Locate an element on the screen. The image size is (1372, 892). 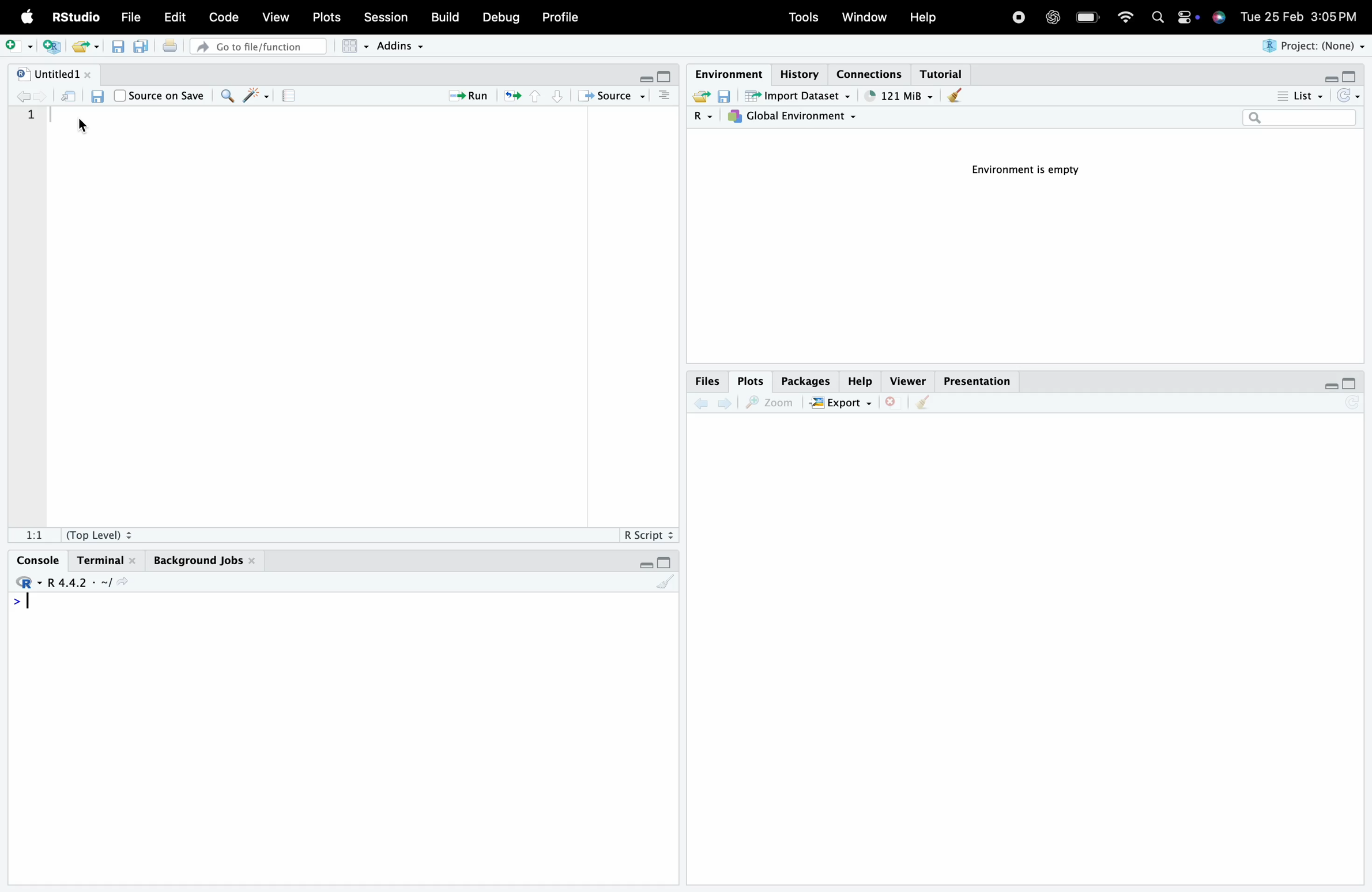
Console is located at coordinates (42, 561).